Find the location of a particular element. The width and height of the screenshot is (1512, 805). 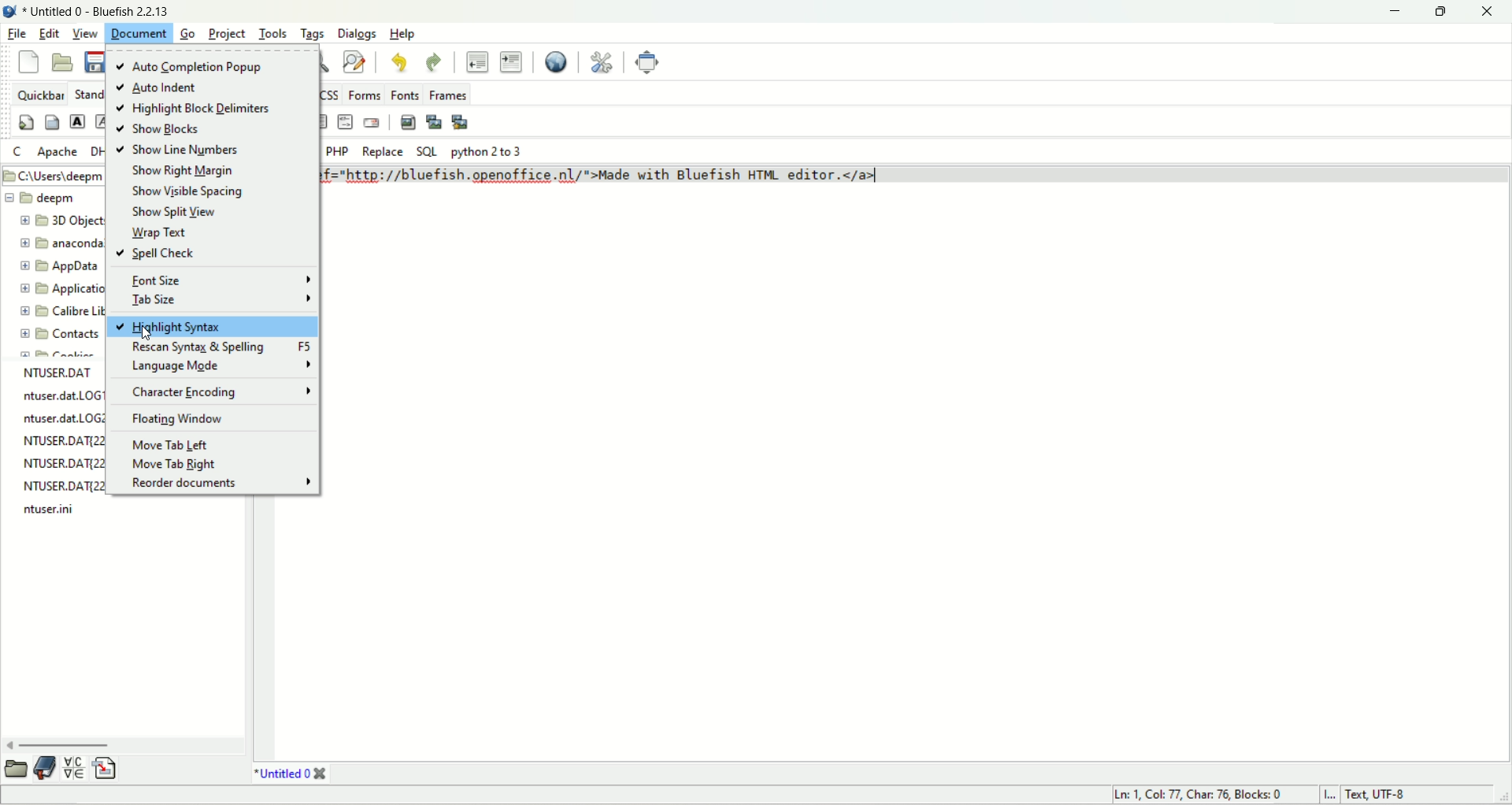

wrap text is located at coordinates (161, 233).